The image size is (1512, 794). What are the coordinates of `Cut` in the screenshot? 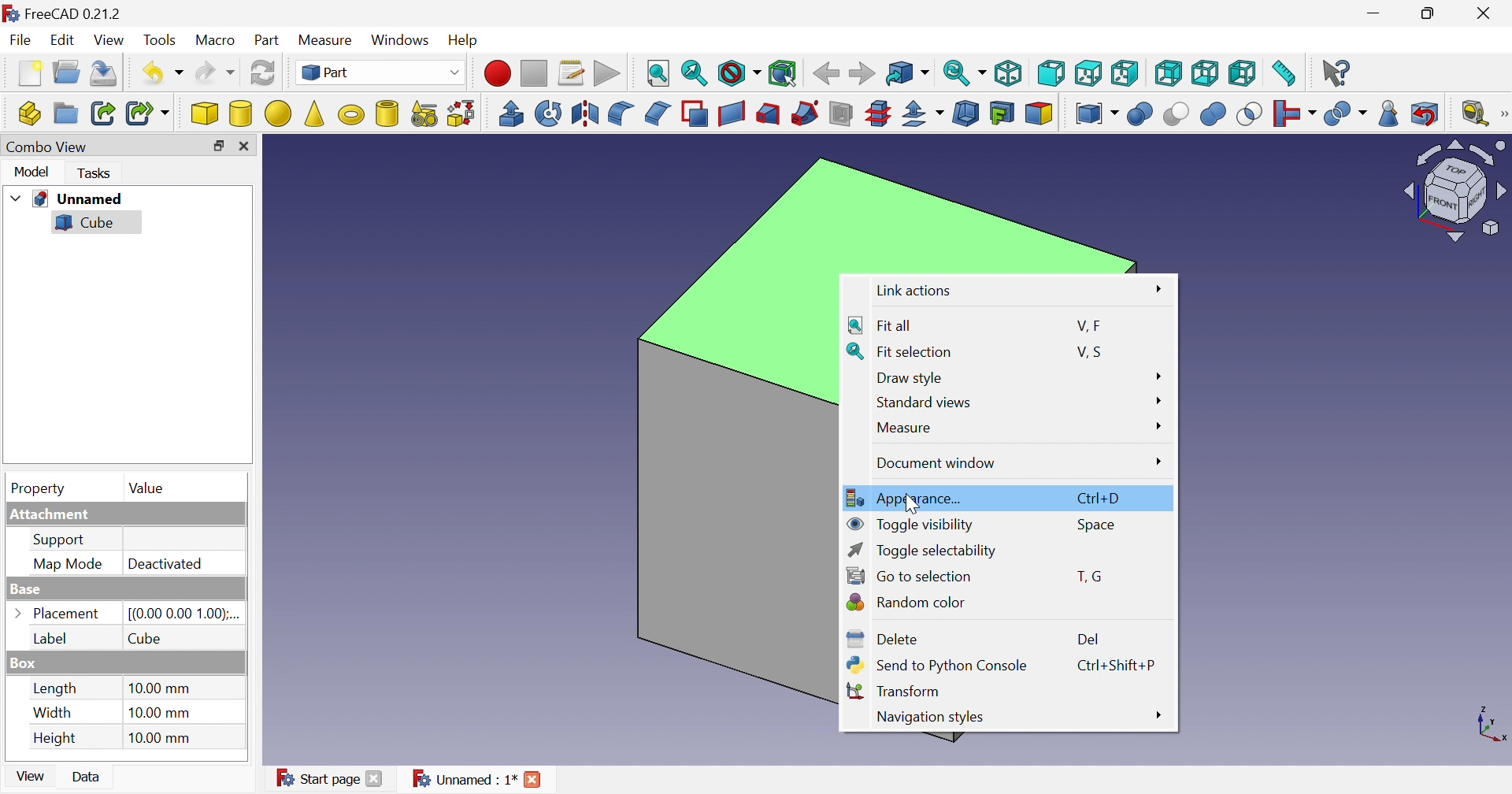 It's located at (1179, 115).